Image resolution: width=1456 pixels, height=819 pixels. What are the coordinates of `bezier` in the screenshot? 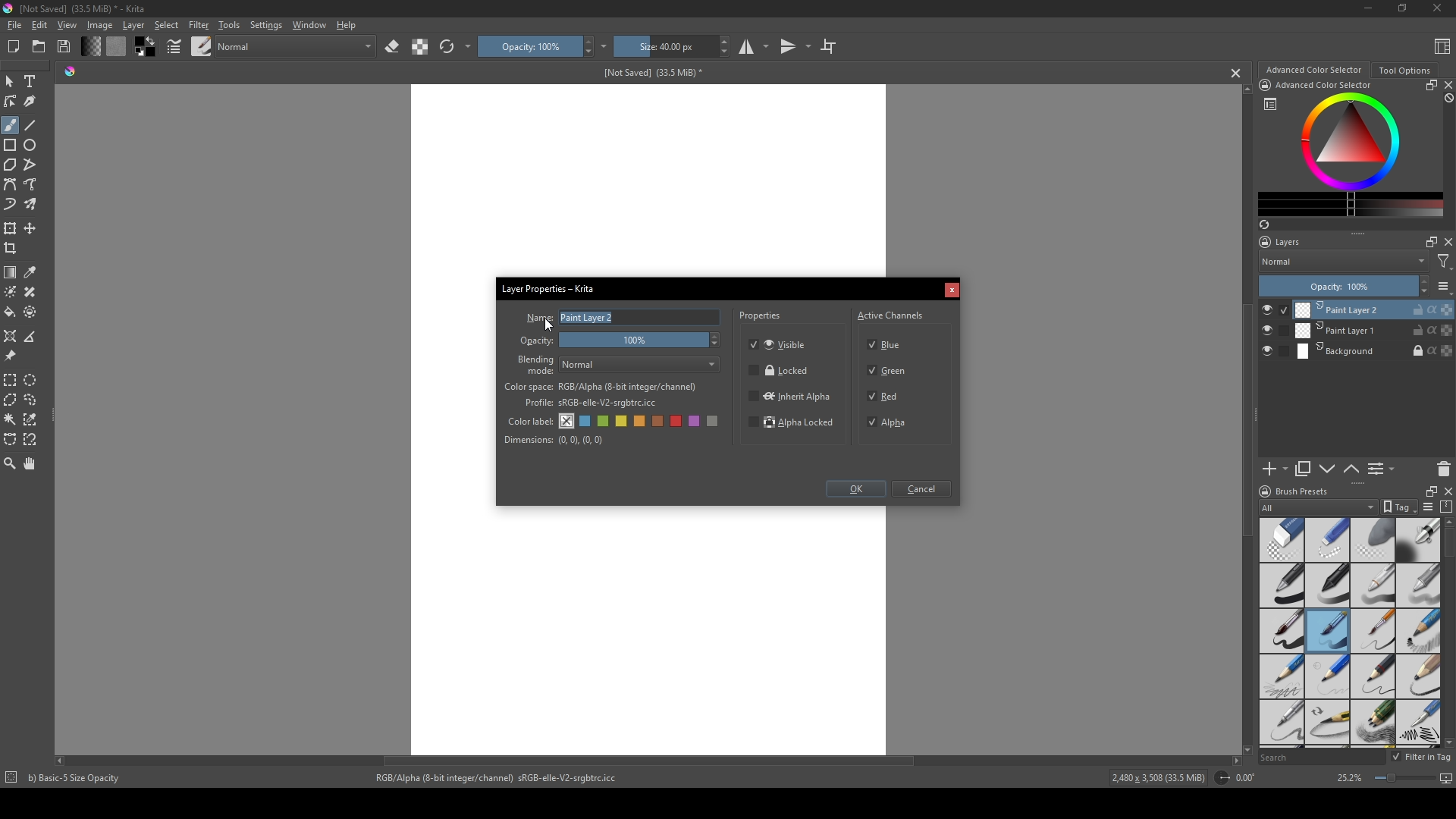 It's located at (11, 185).